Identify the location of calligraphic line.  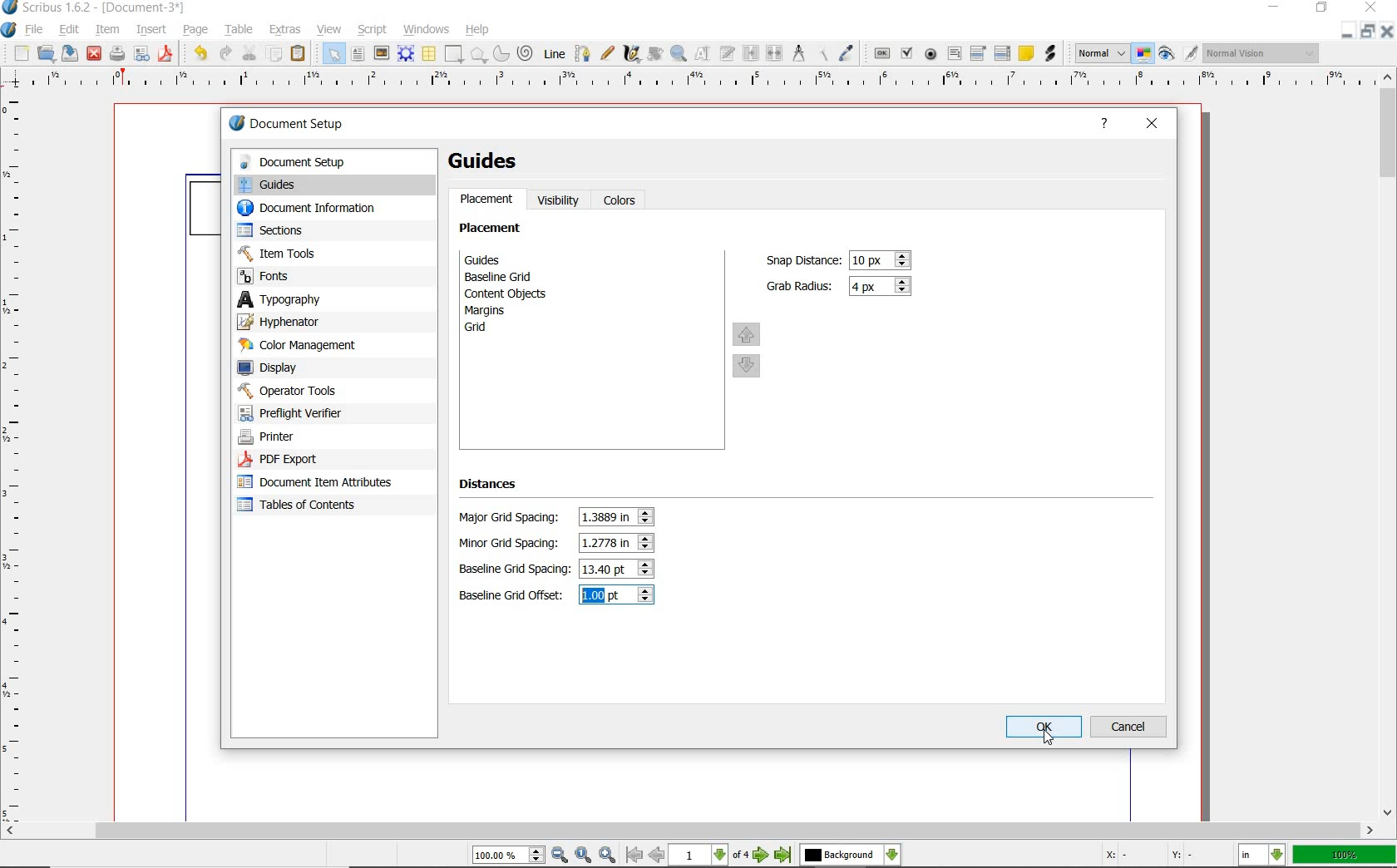
(634, 54).